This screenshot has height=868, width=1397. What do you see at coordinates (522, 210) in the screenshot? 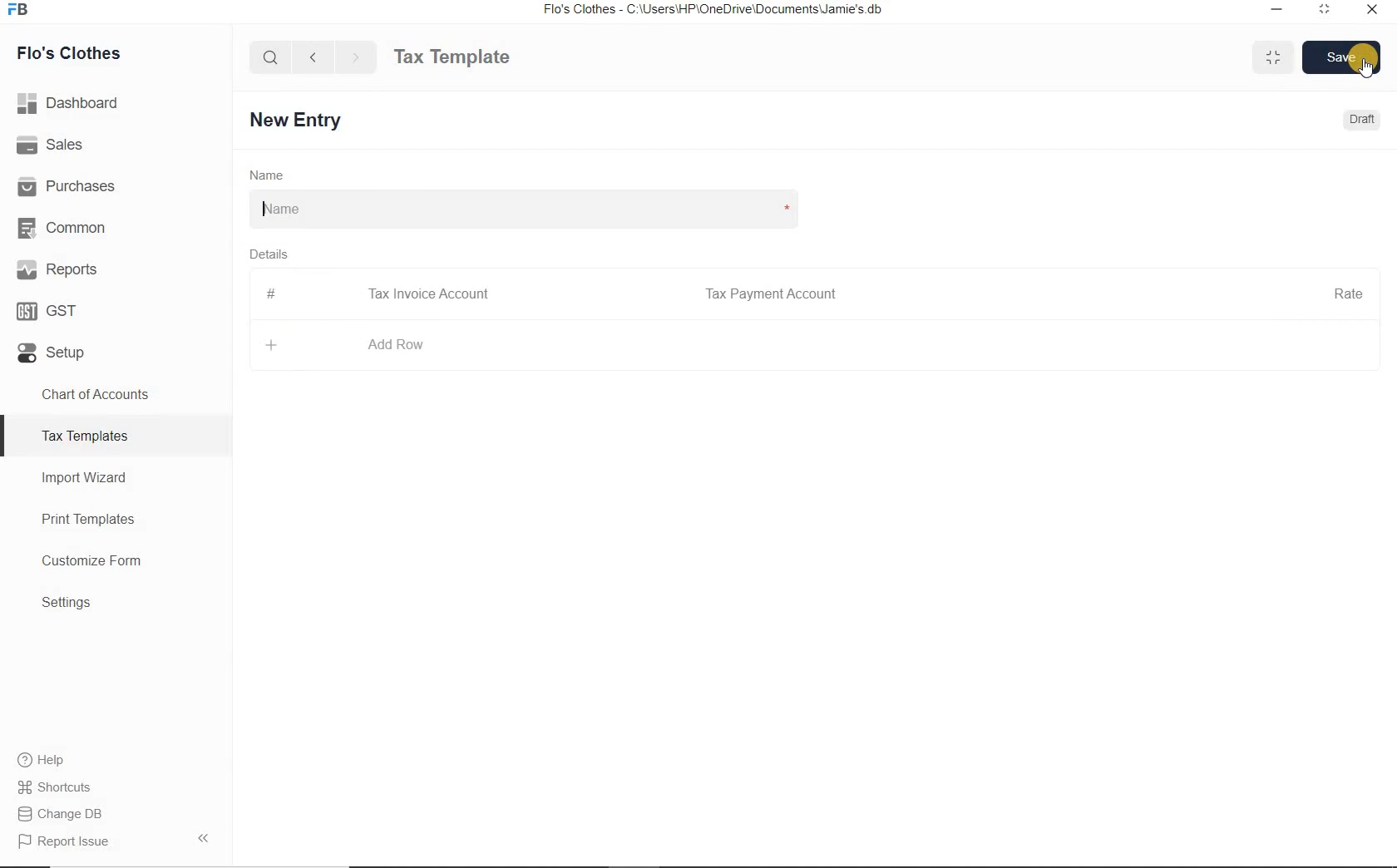
I see `Name` at bounding box center [522, 210].